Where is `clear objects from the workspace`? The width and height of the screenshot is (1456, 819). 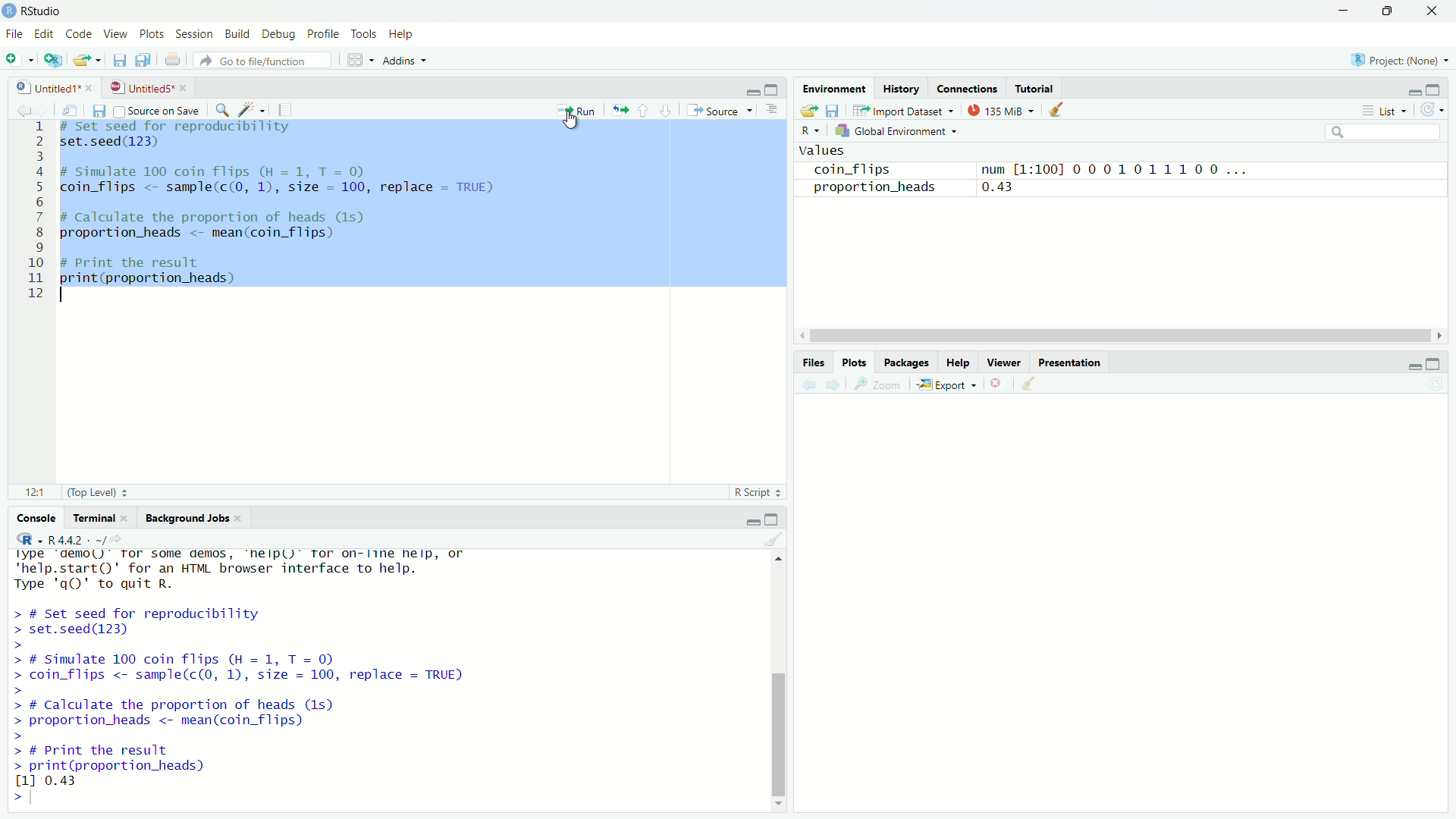 clear objects from the workspace is located at coordinates (1060, 110).